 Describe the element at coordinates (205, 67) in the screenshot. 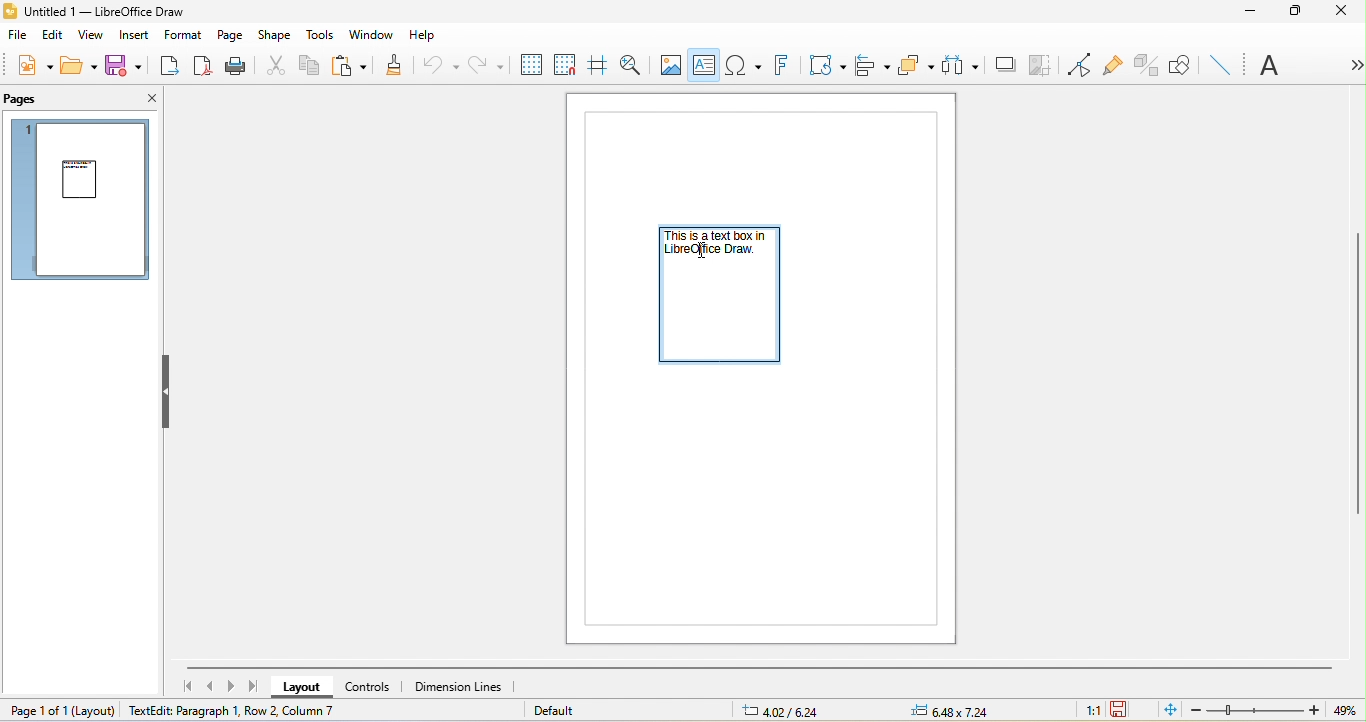

I see `export directly as pdf` at that location.